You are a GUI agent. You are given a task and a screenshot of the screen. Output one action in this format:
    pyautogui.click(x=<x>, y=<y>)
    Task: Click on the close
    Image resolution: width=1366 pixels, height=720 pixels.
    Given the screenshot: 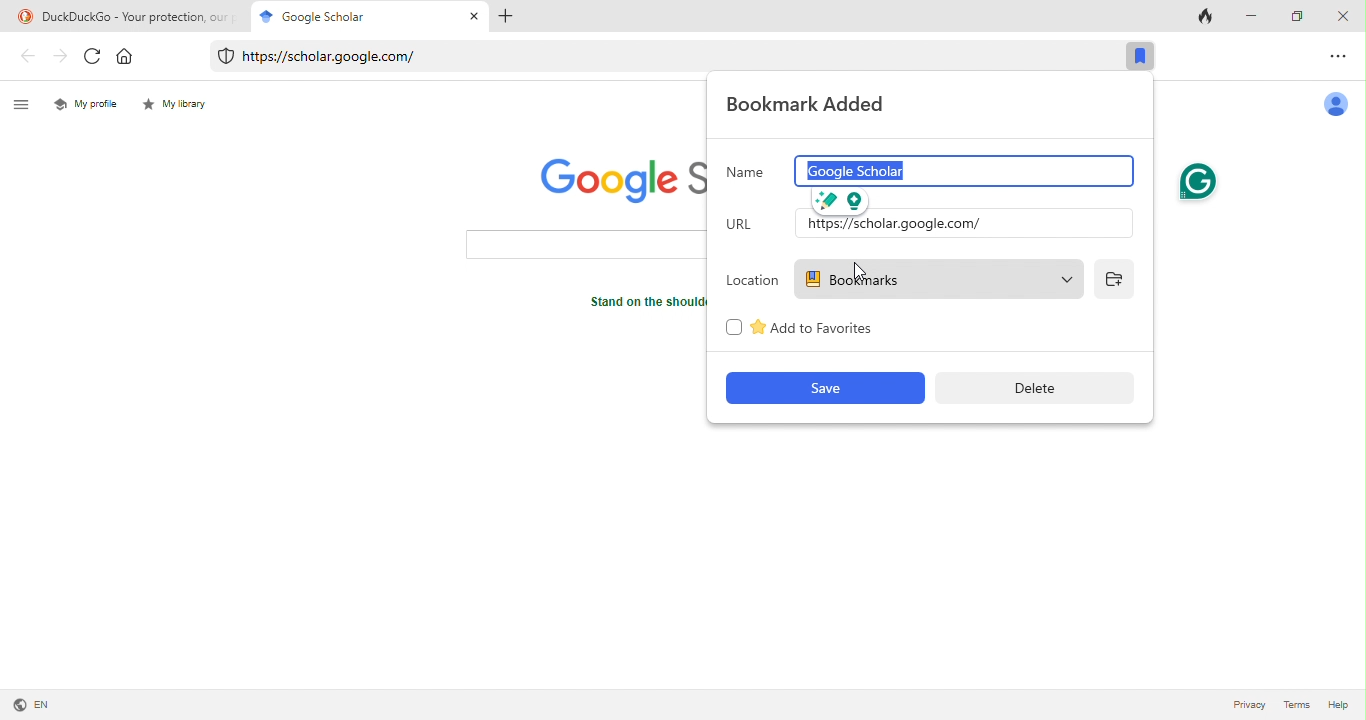 What is the action you would take?
    pyautogui.click(x=1346, y=15)
    